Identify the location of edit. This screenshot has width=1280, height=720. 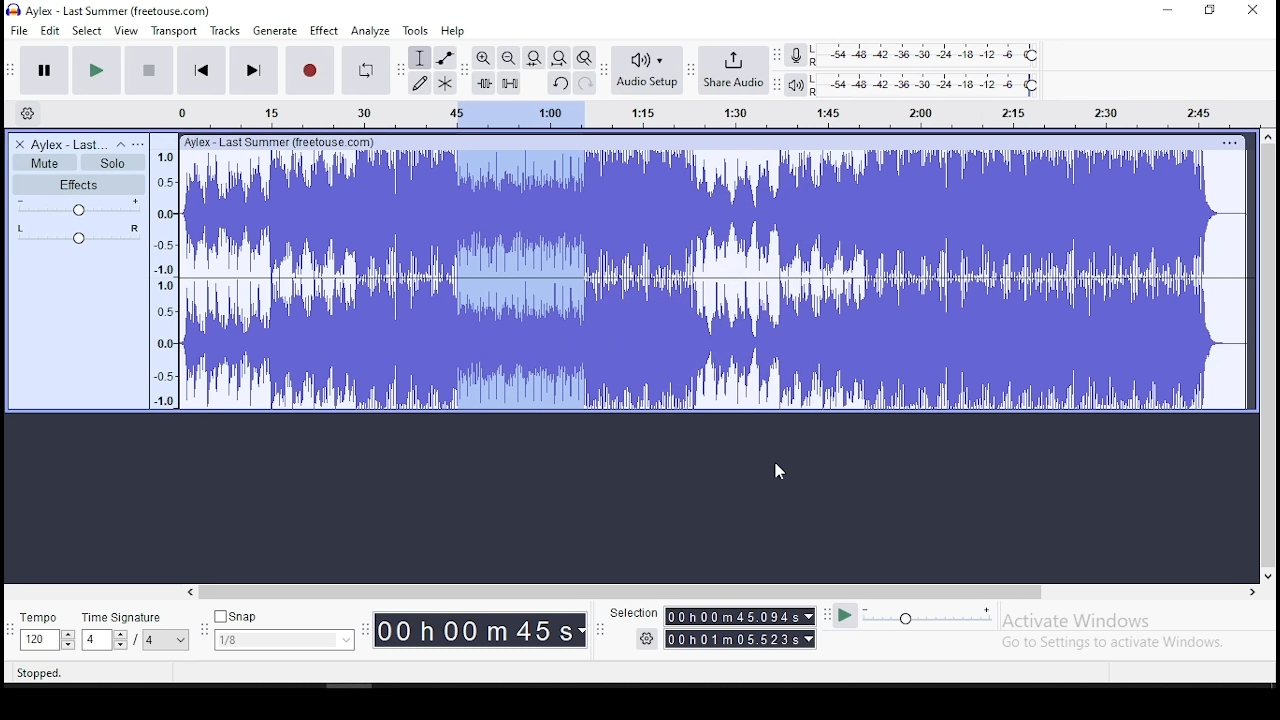
(50, 31).